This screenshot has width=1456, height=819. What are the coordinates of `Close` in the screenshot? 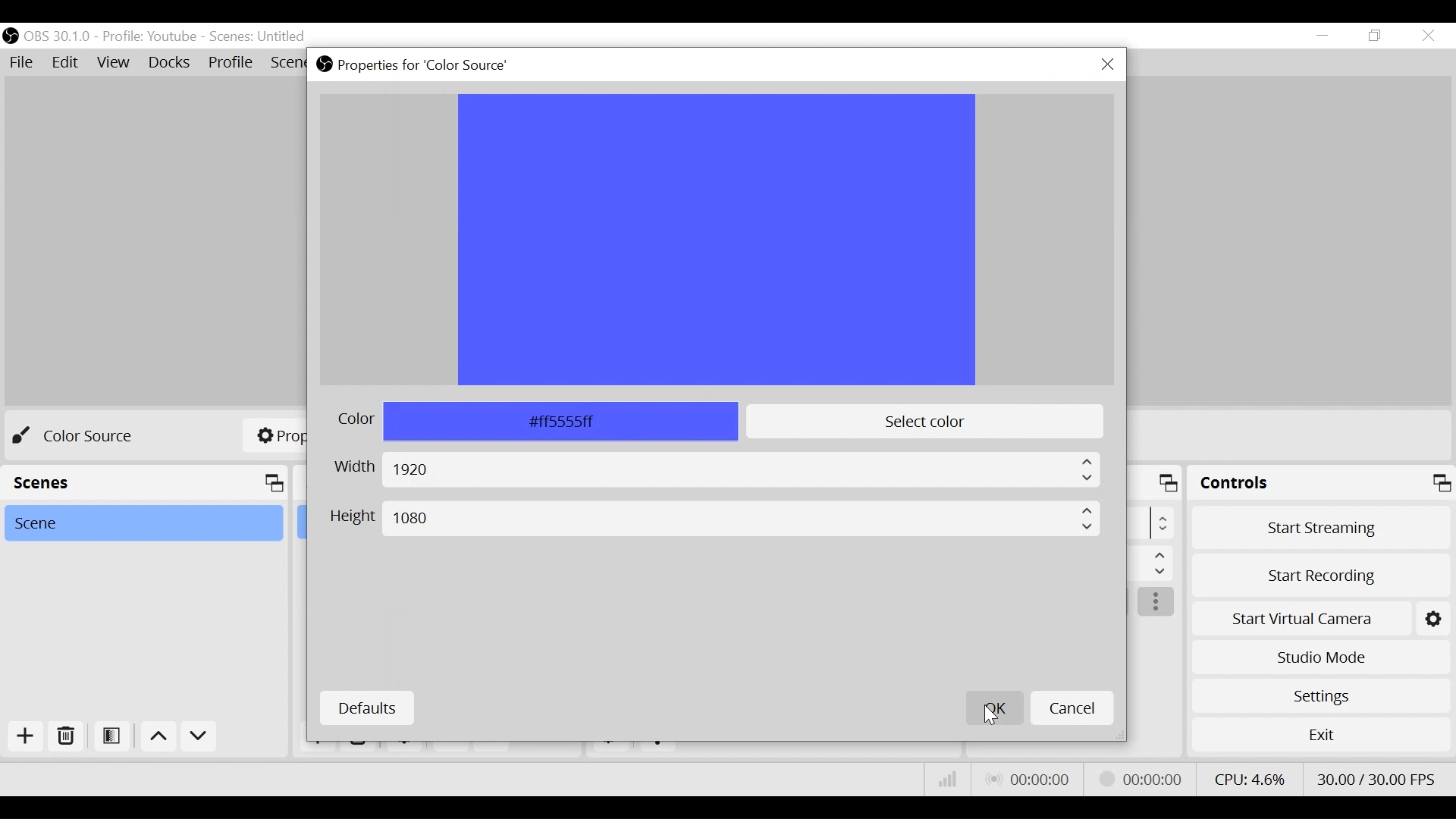 It's located at (1108, 66).